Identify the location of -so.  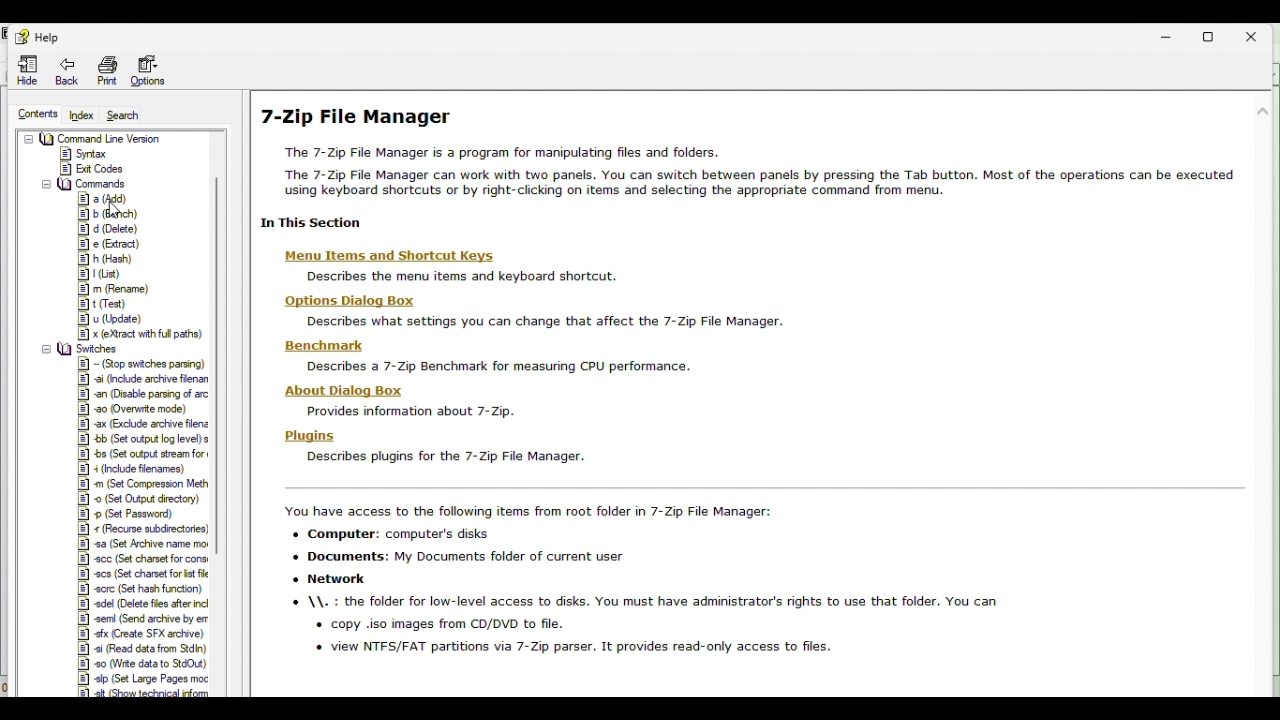
(148, 663).